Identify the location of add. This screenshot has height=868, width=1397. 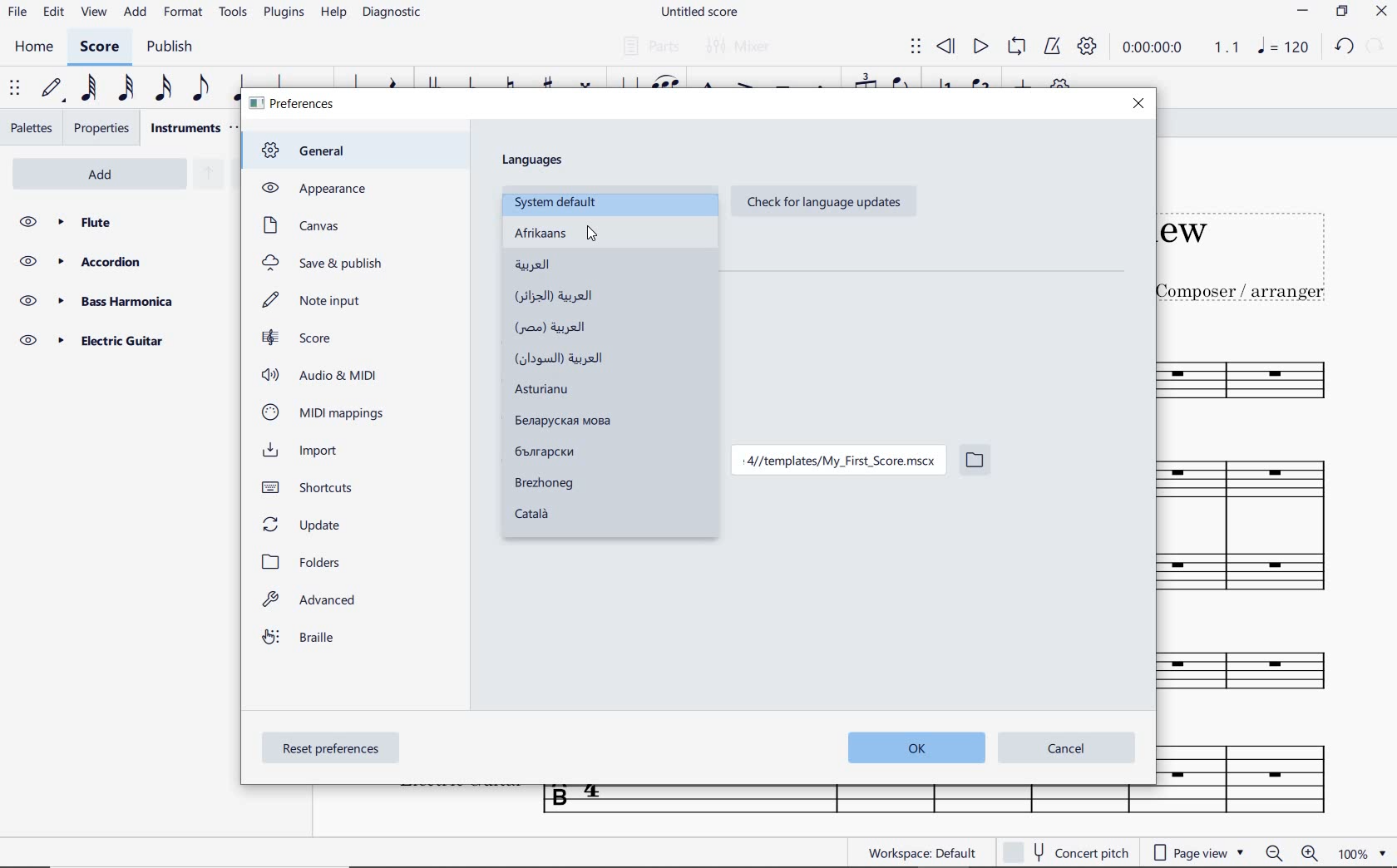
(133, 13).